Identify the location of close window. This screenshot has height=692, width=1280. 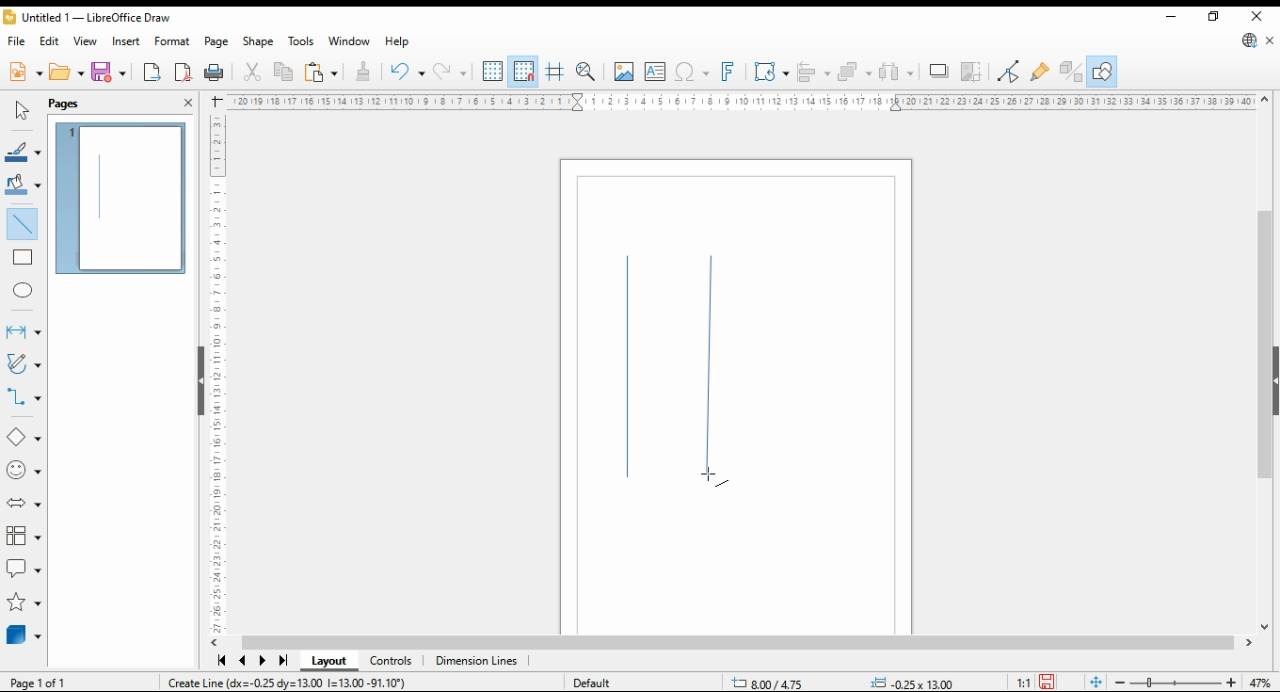
(1254, 17).